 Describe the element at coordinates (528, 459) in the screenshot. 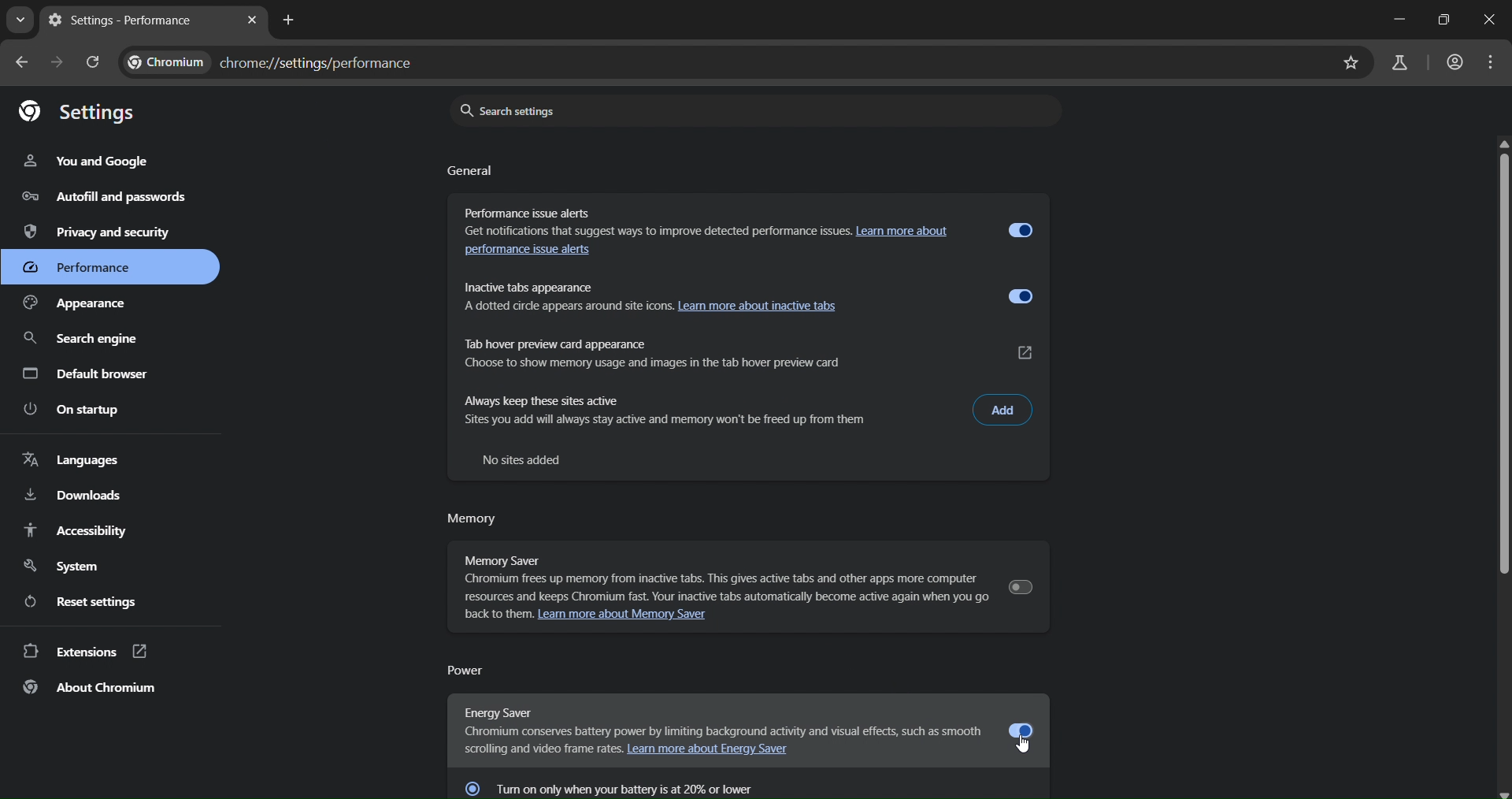

I see `no sites added` at that location.